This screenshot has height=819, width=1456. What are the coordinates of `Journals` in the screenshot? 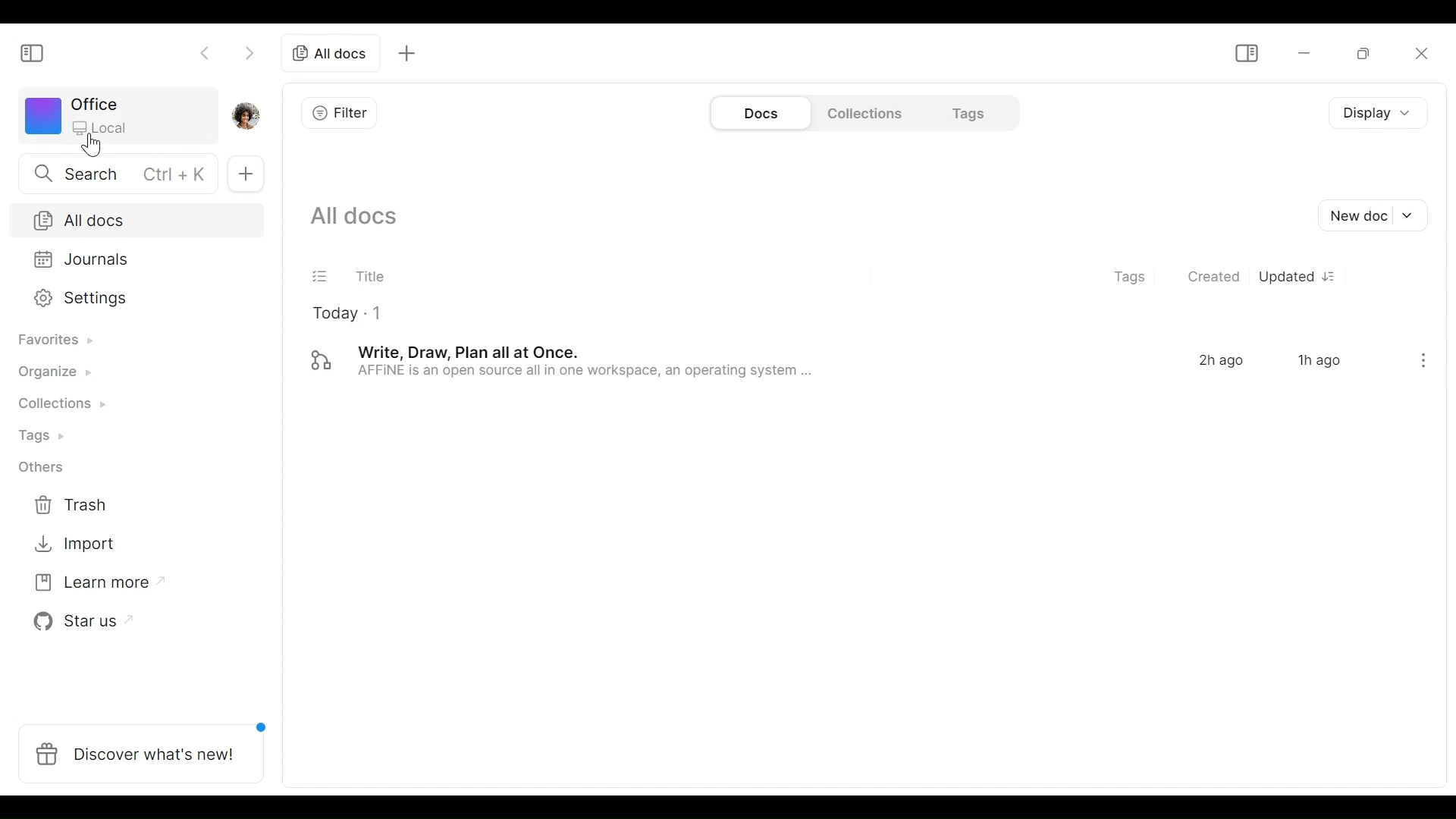 It's located at (128, 259).